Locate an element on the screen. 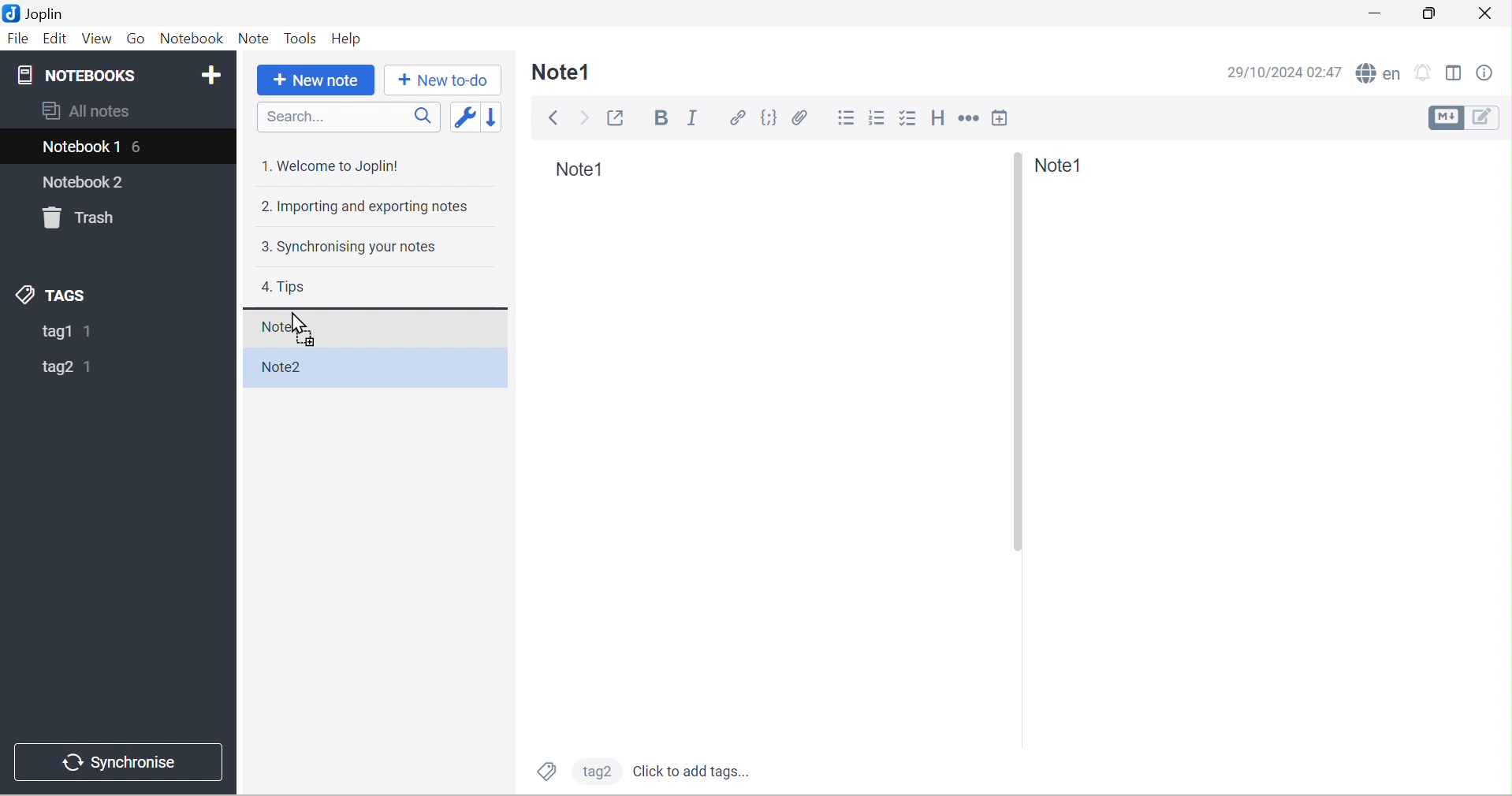  Close is located at coordinates (1489, 14).